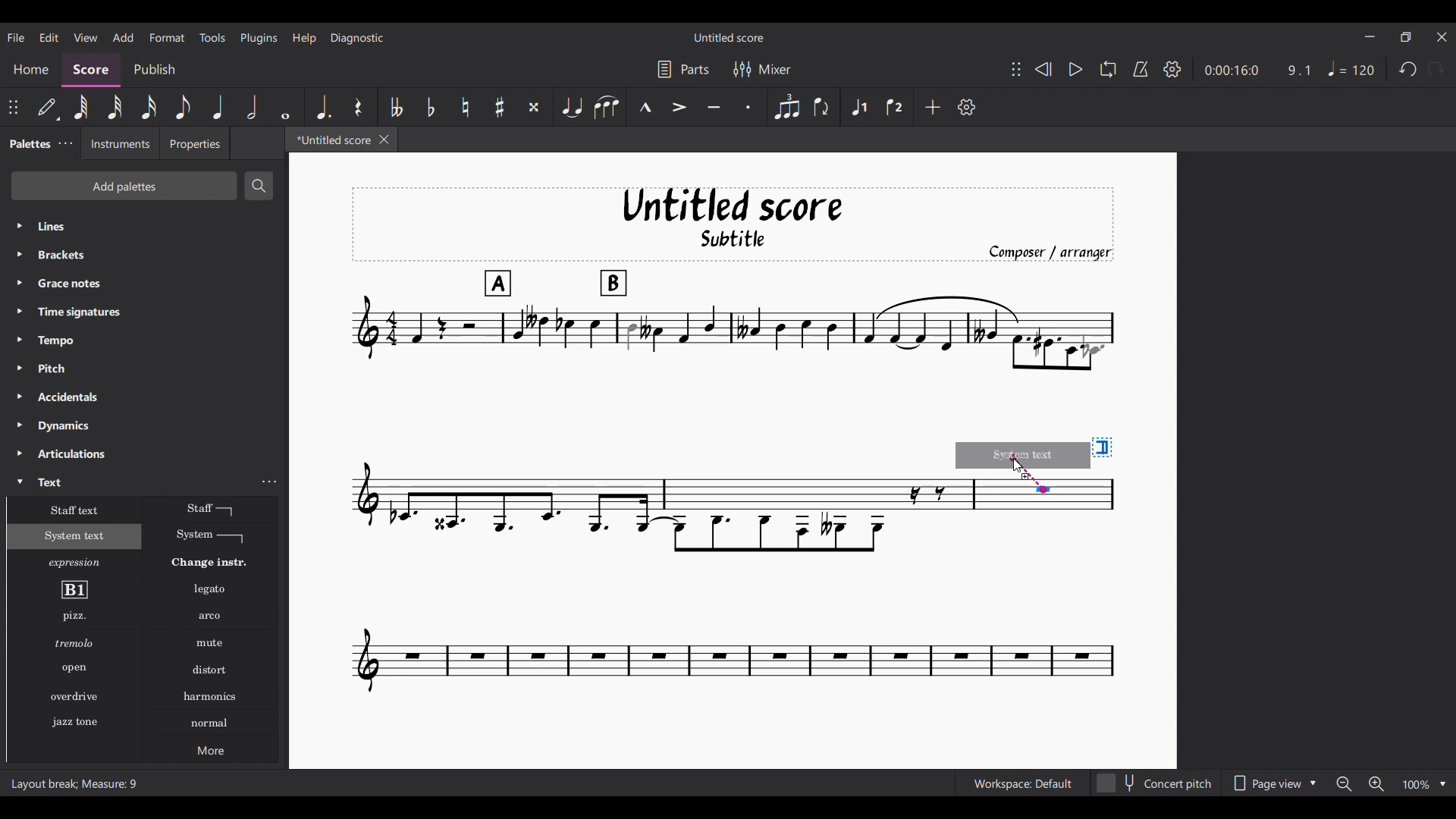 This screenshot has width=1456, height=819. I want to click on Loop playback, so click(1108, 69).